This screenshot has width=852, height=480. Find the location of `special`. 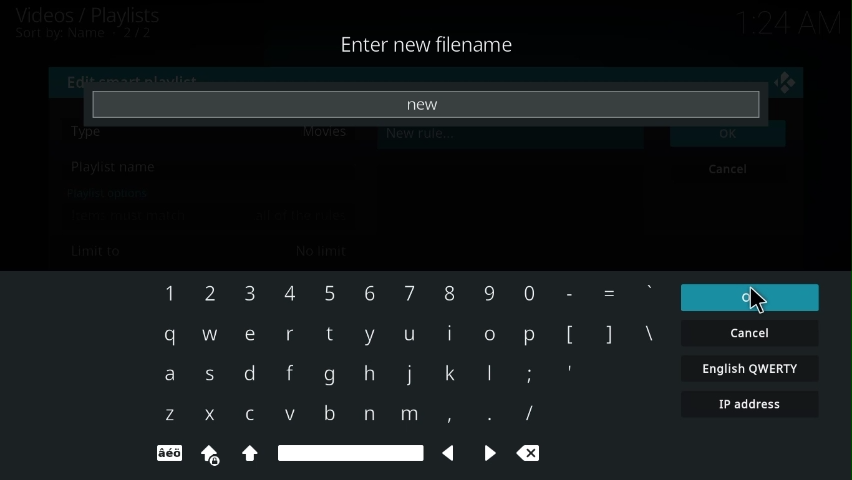

special is located at coordinates (168, 454).